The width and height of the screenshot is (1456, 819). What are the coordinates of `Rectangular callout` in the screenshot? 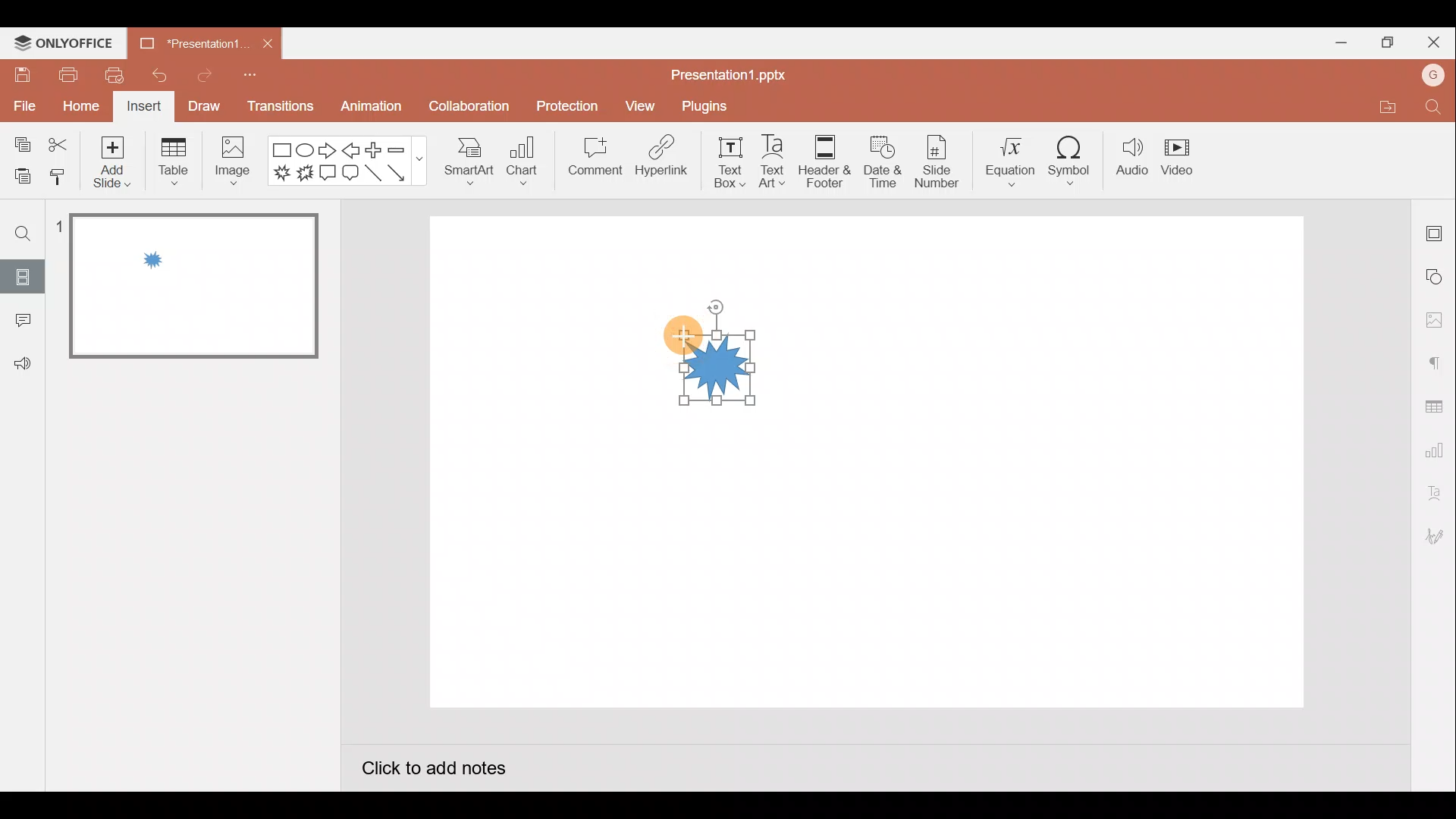 It's located at (329, 175).